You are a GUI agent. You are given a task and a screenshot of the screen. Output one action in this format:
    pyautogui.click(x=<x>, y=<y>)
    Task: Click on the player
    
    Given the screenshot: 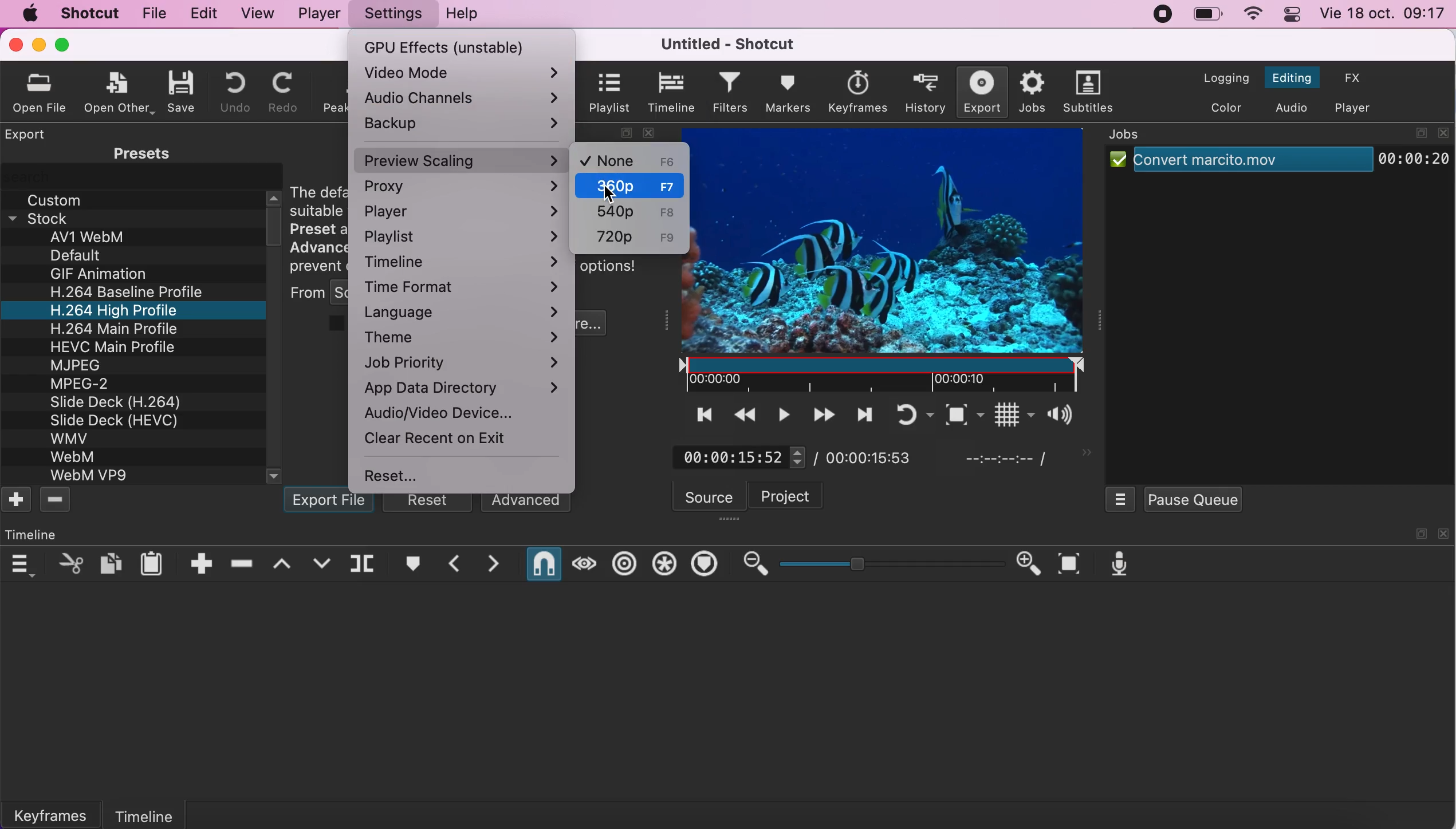 What is the action you would take?
    pyautogui.click(x=317, y=13)
    